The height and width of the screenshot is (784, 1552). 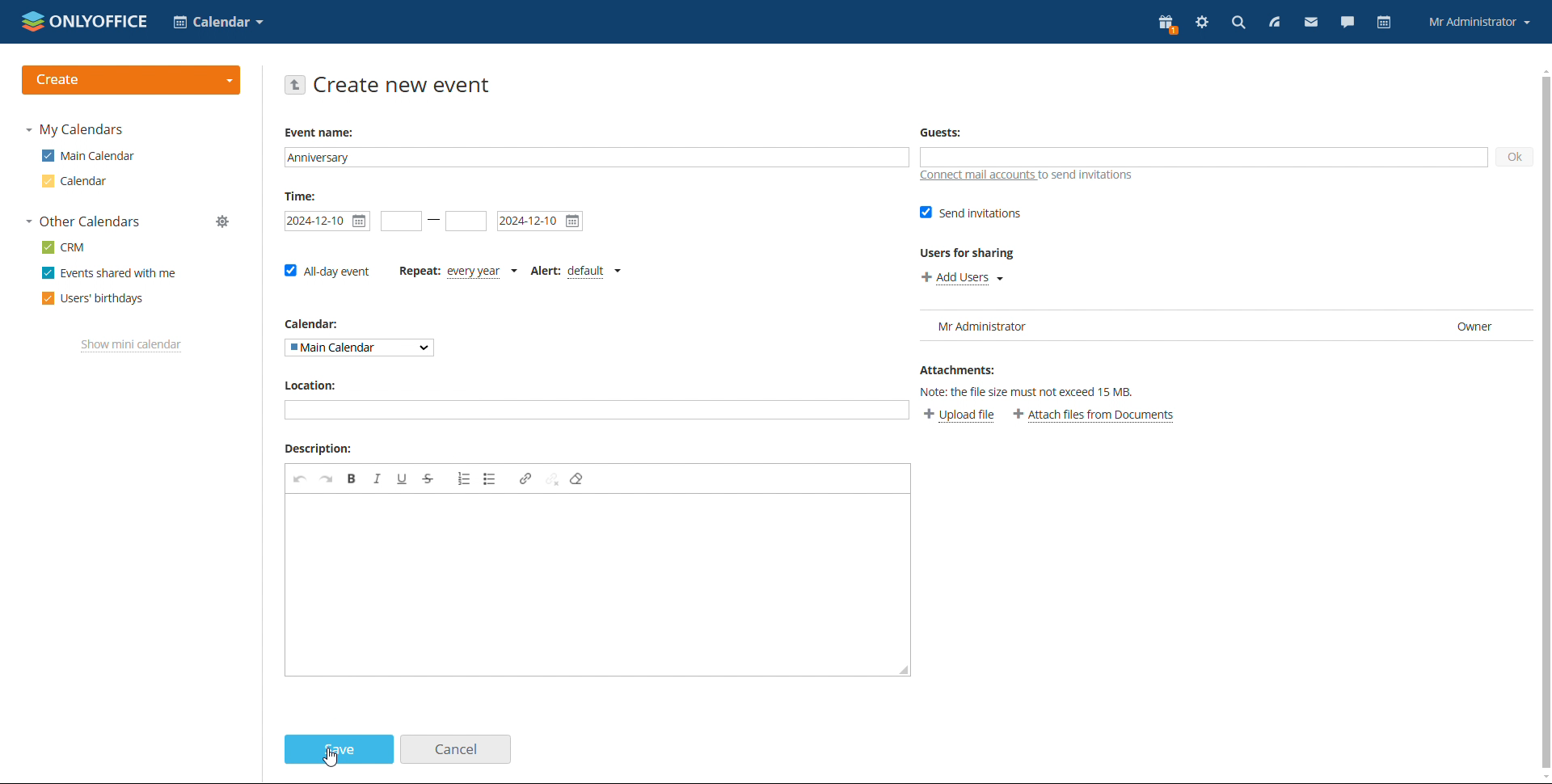 I want to click on insert/remove bulleted list, so click(x=491, y=478).